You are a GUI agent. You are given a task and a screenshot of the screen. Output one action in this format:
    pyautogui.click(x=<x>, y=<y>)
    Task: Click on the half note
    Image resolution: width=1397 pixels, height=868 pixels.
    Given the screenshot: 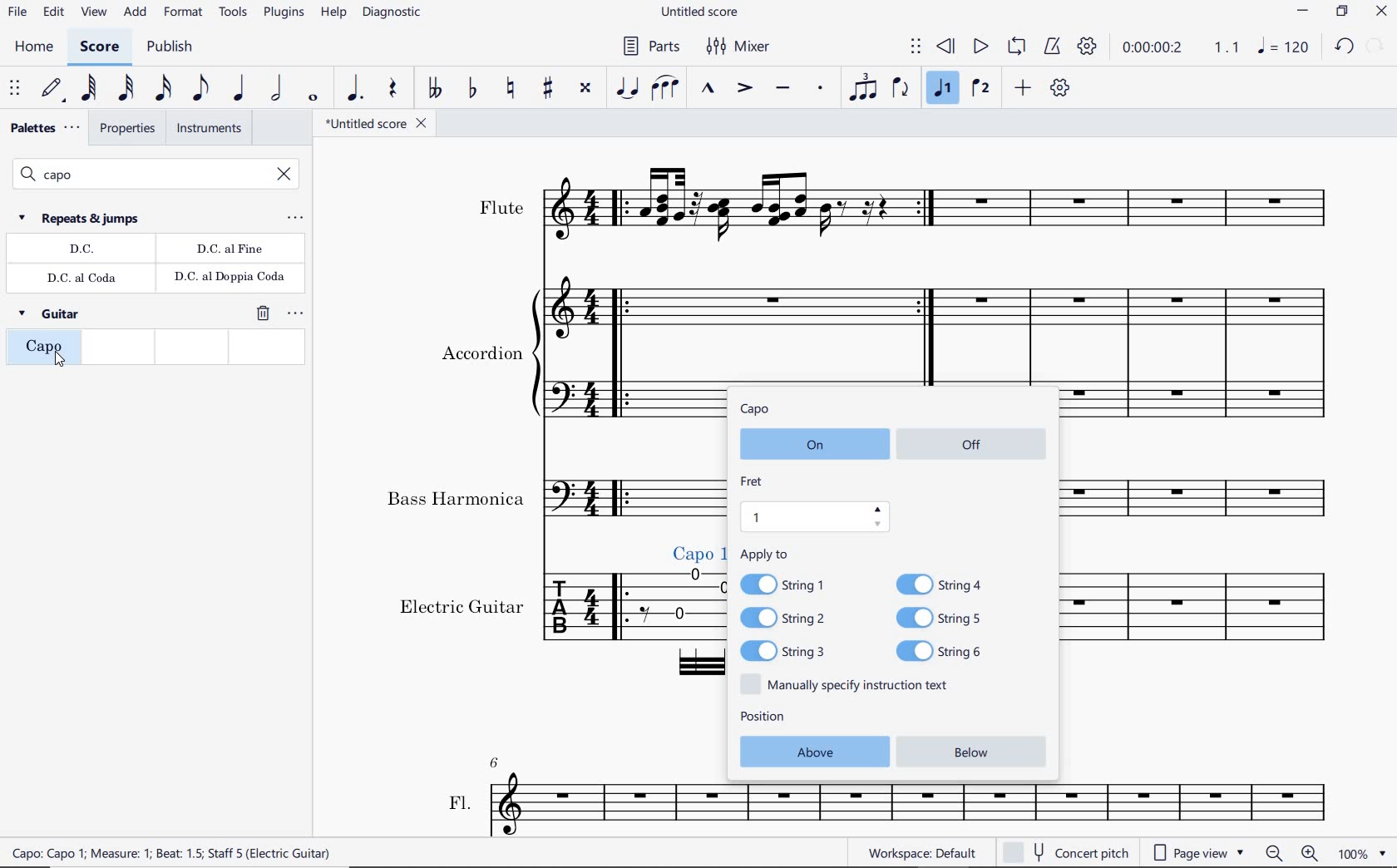 What is the action you would take?
    pyautogui.click(x=274, y=88)
    